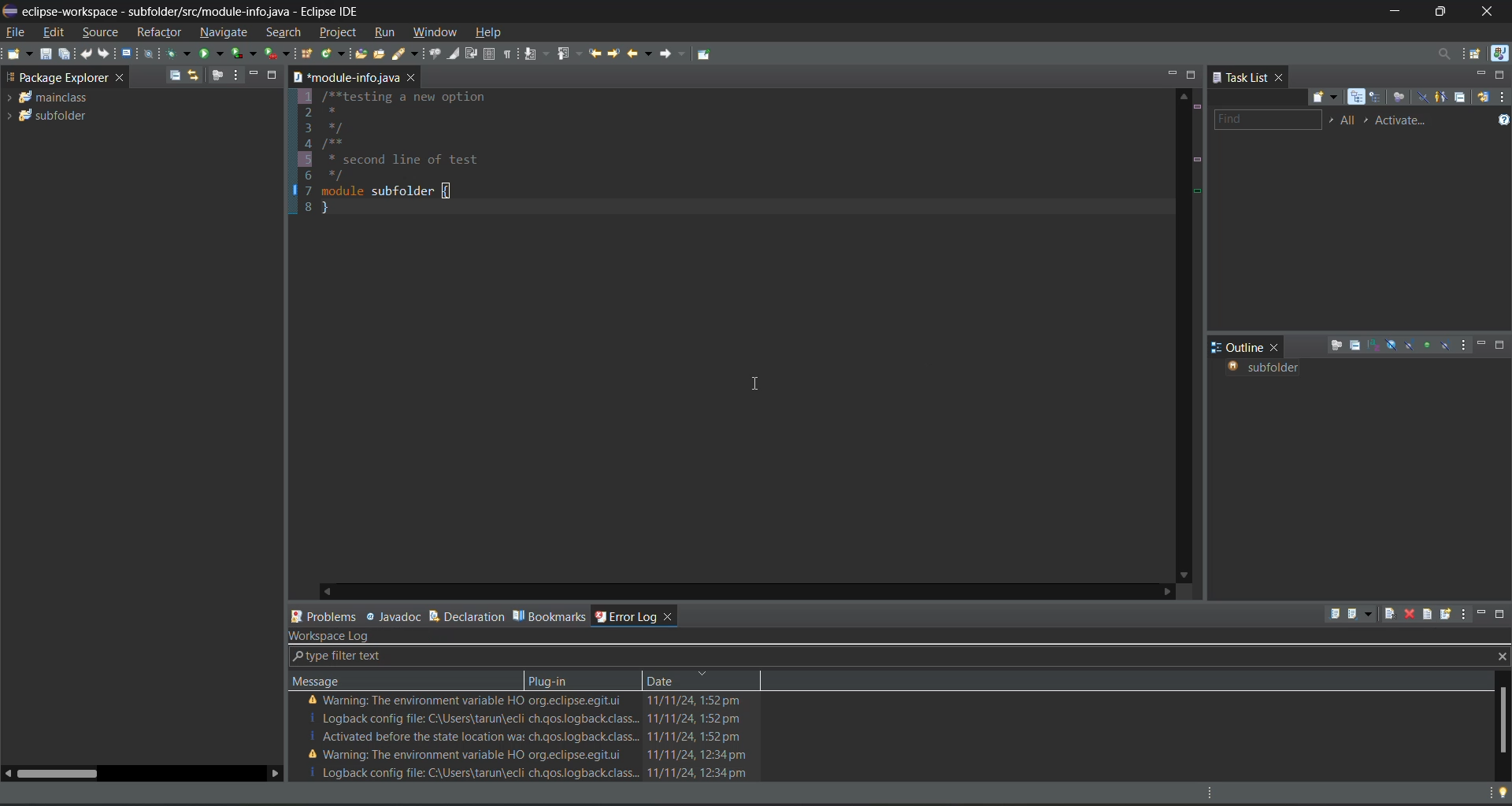  Describe the element at coordinates (1503, 346) in the screenshot. I see `maximize` at that location.